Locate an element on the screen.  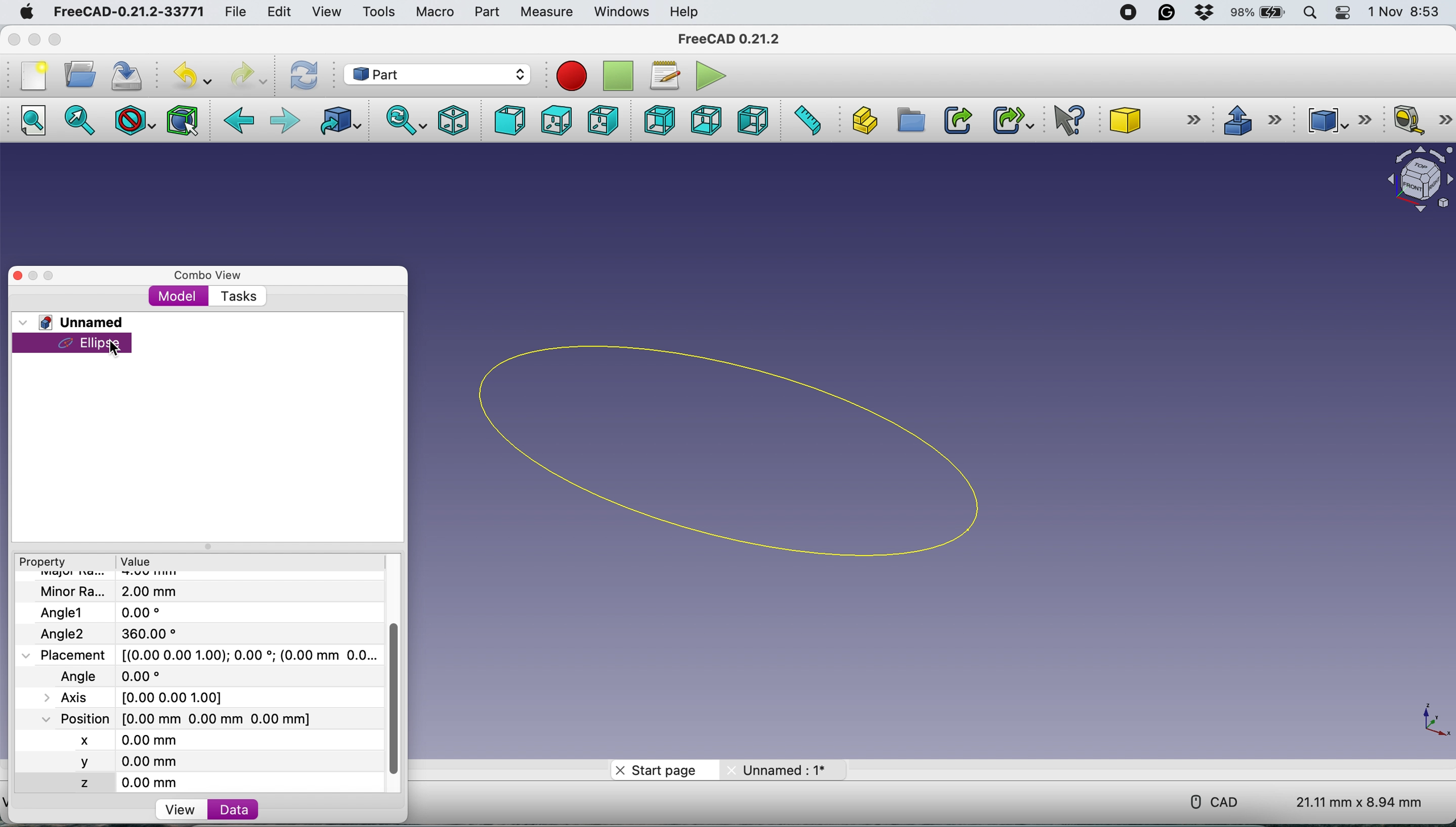
record macros is located at coordinates (571, 75).